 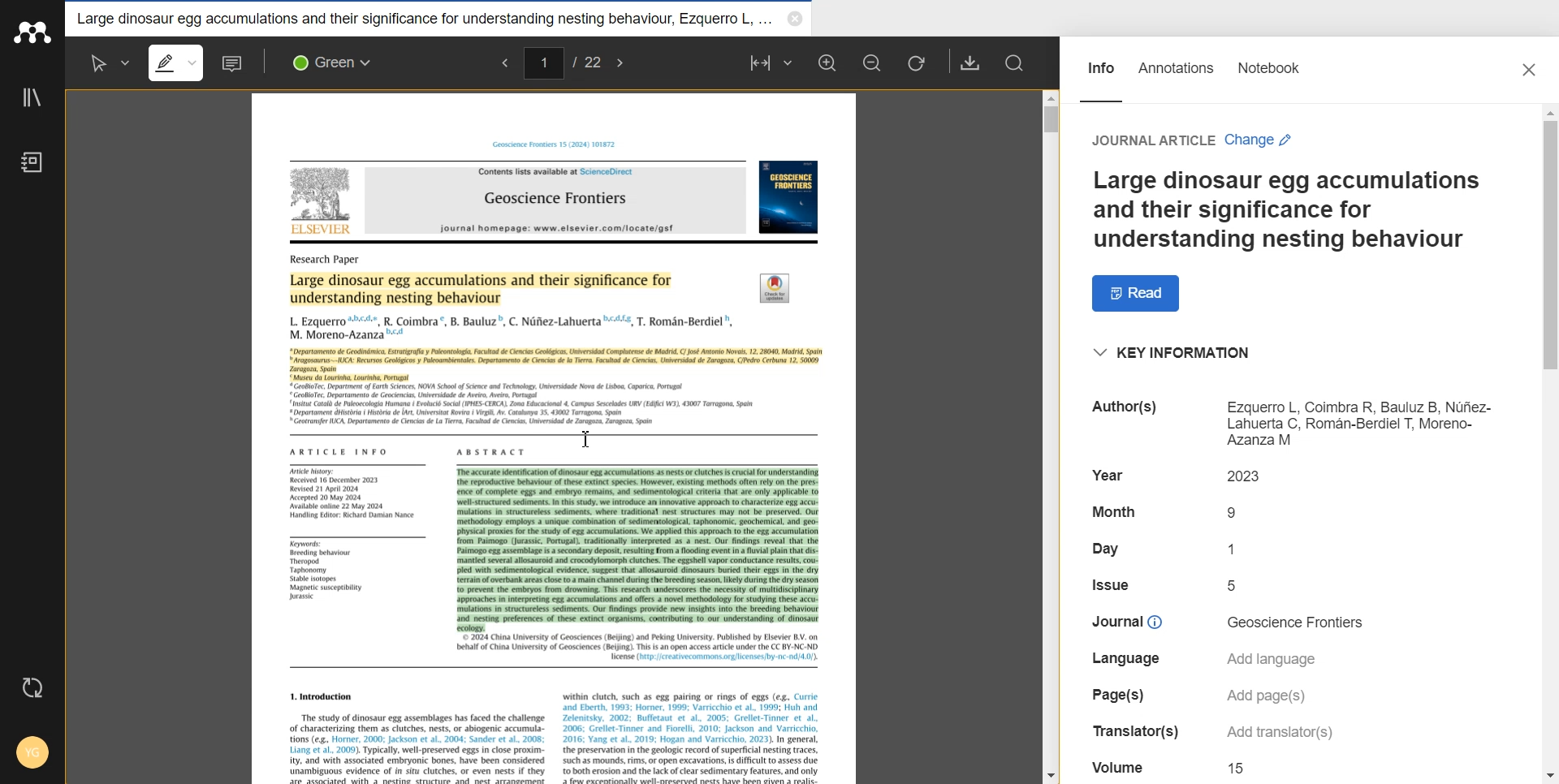 What do you see at coordinates (829, 62) in the screenshot?
I see `Zoom in` at bounding box center [829, 62].